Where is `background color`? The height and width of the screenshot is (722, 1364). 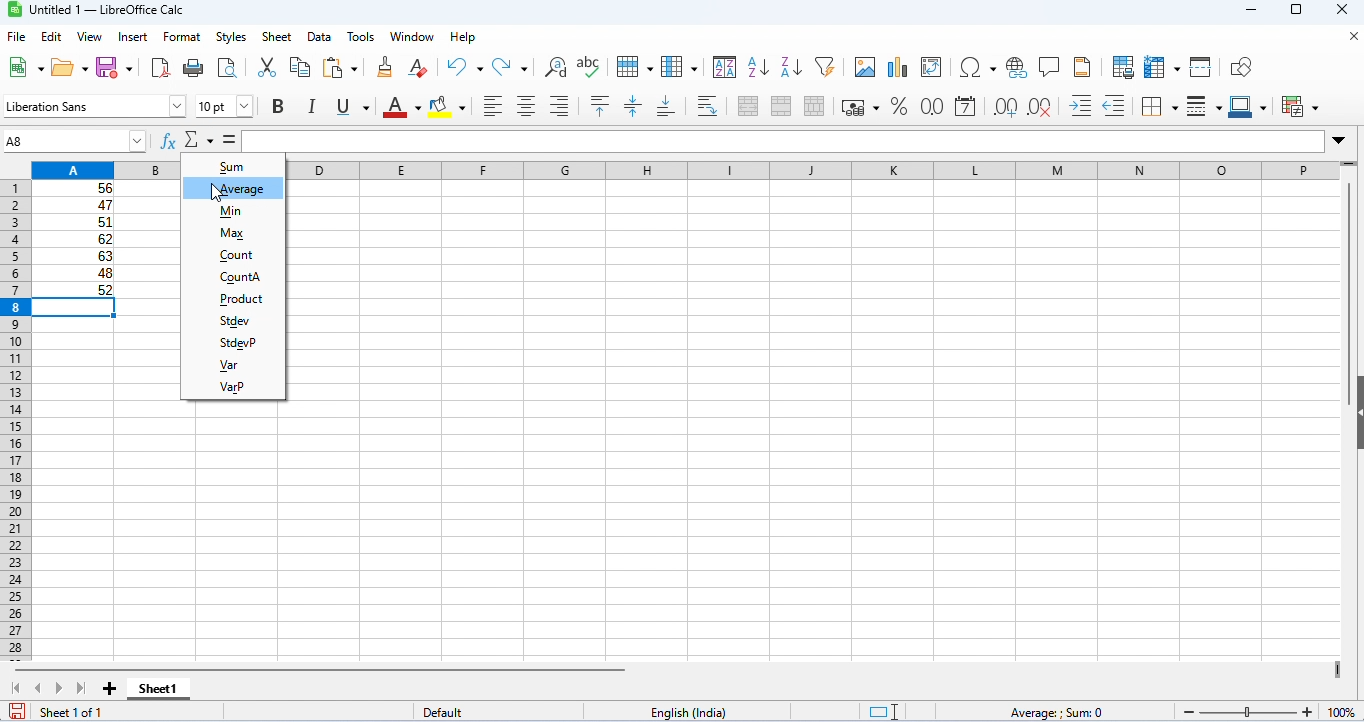 background color is located at coordinates (448, 106).